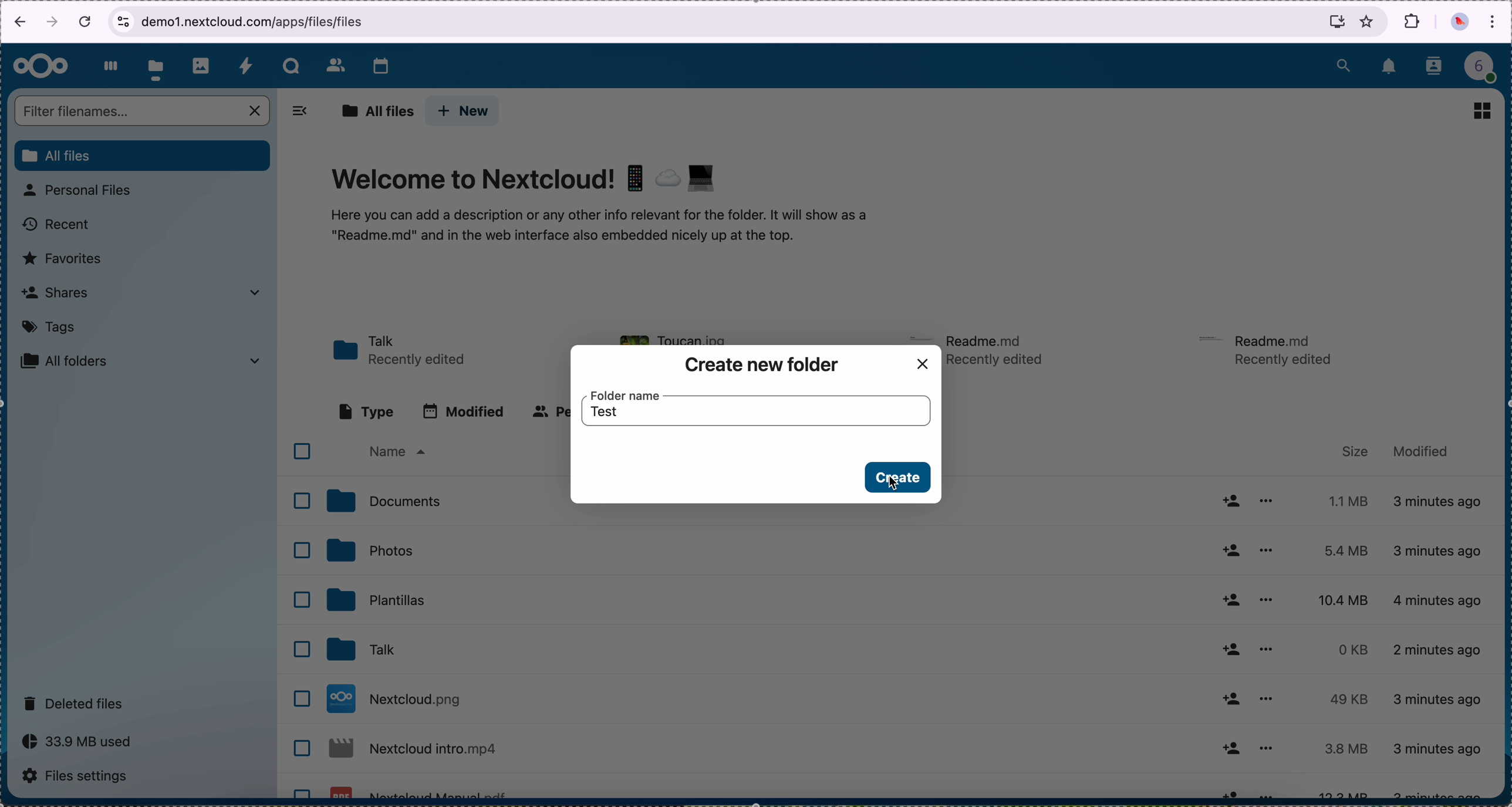 The height and width of the screenshot is (807, 1512). Describe the element at coordinates (1413, 21) in the screenshot. I see `extensions` at that location.